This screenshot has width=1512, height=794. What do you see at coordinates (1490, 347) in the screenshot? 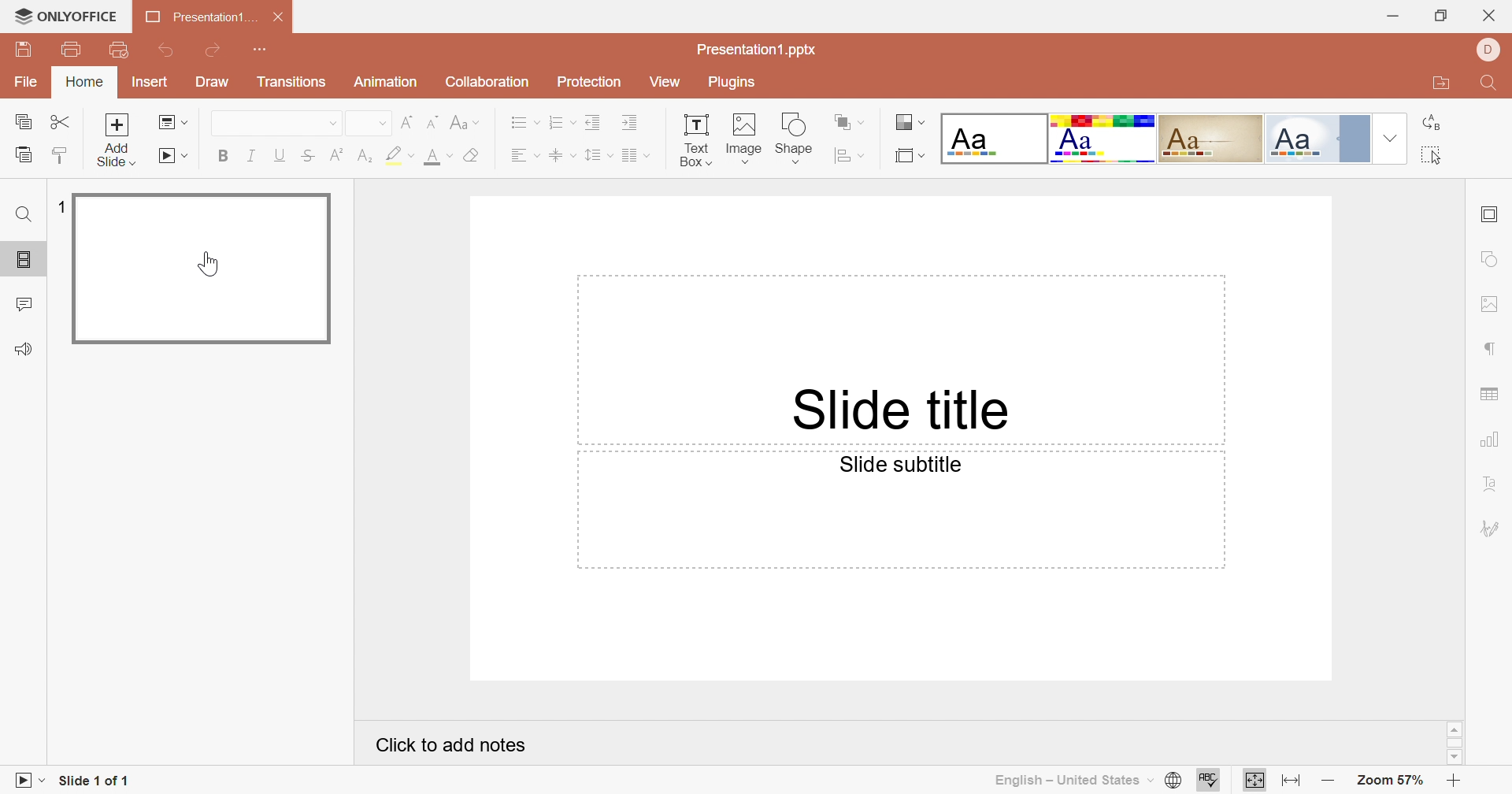
I see `paragraph settings` at bounding box center [1490, 347].